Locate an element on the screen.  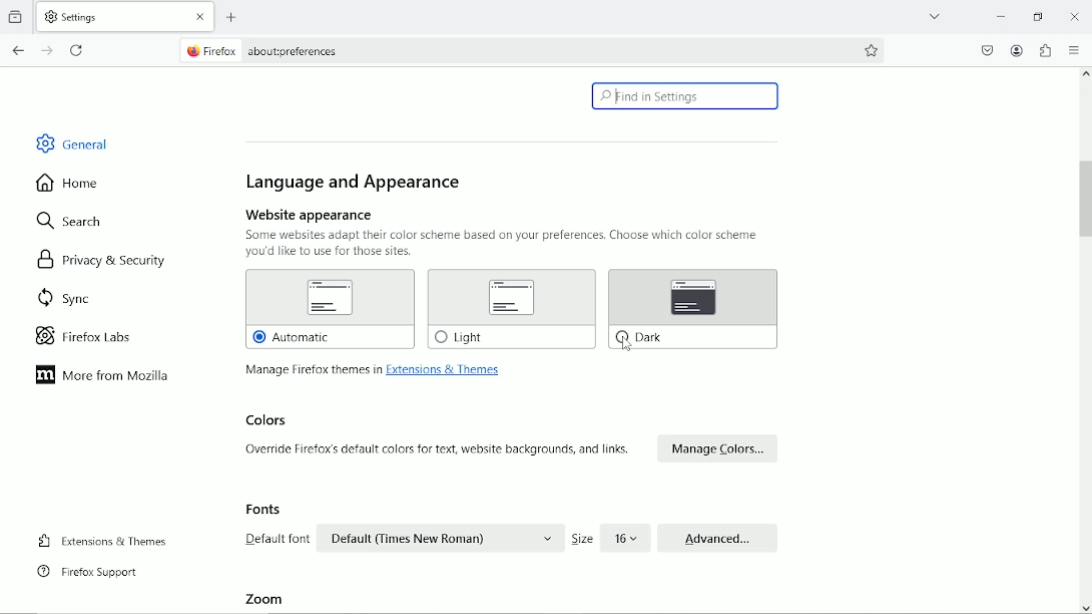
Automatic is located at coordinates (331, 310).